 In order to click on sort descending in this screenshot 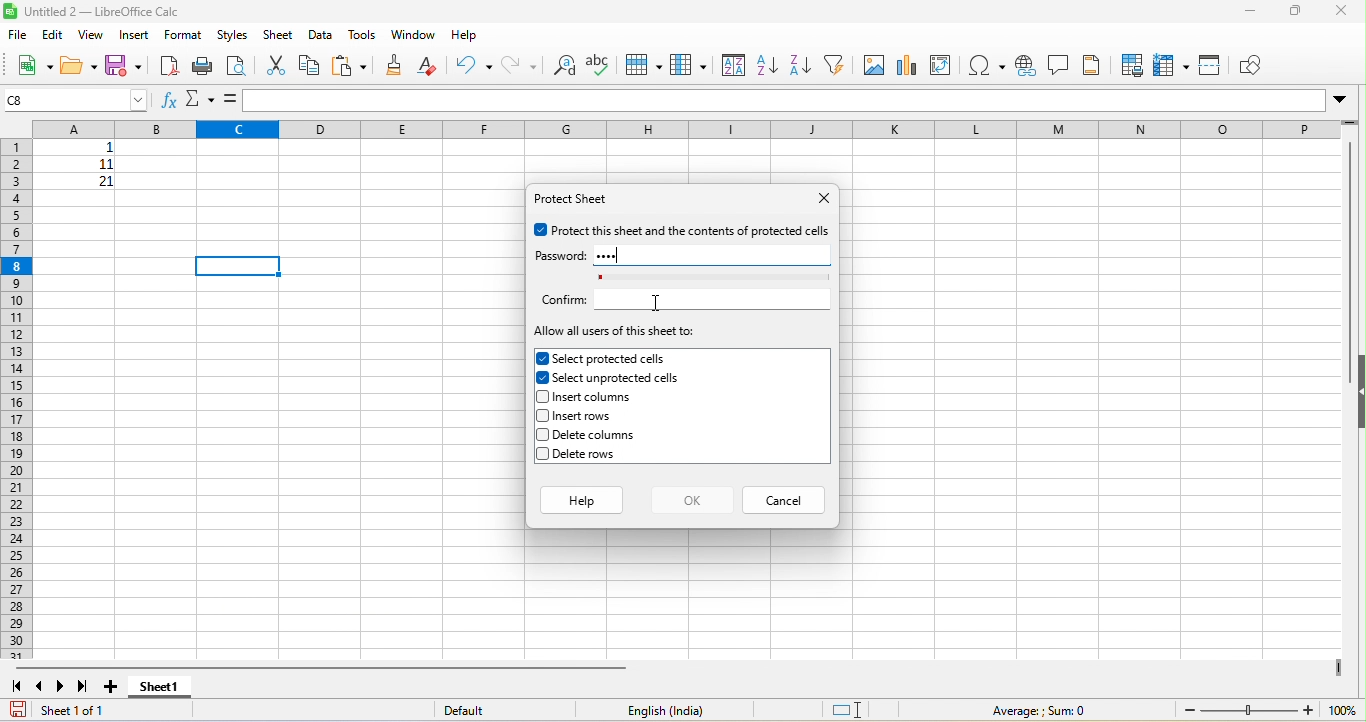, I will do `click(799, 64)`.